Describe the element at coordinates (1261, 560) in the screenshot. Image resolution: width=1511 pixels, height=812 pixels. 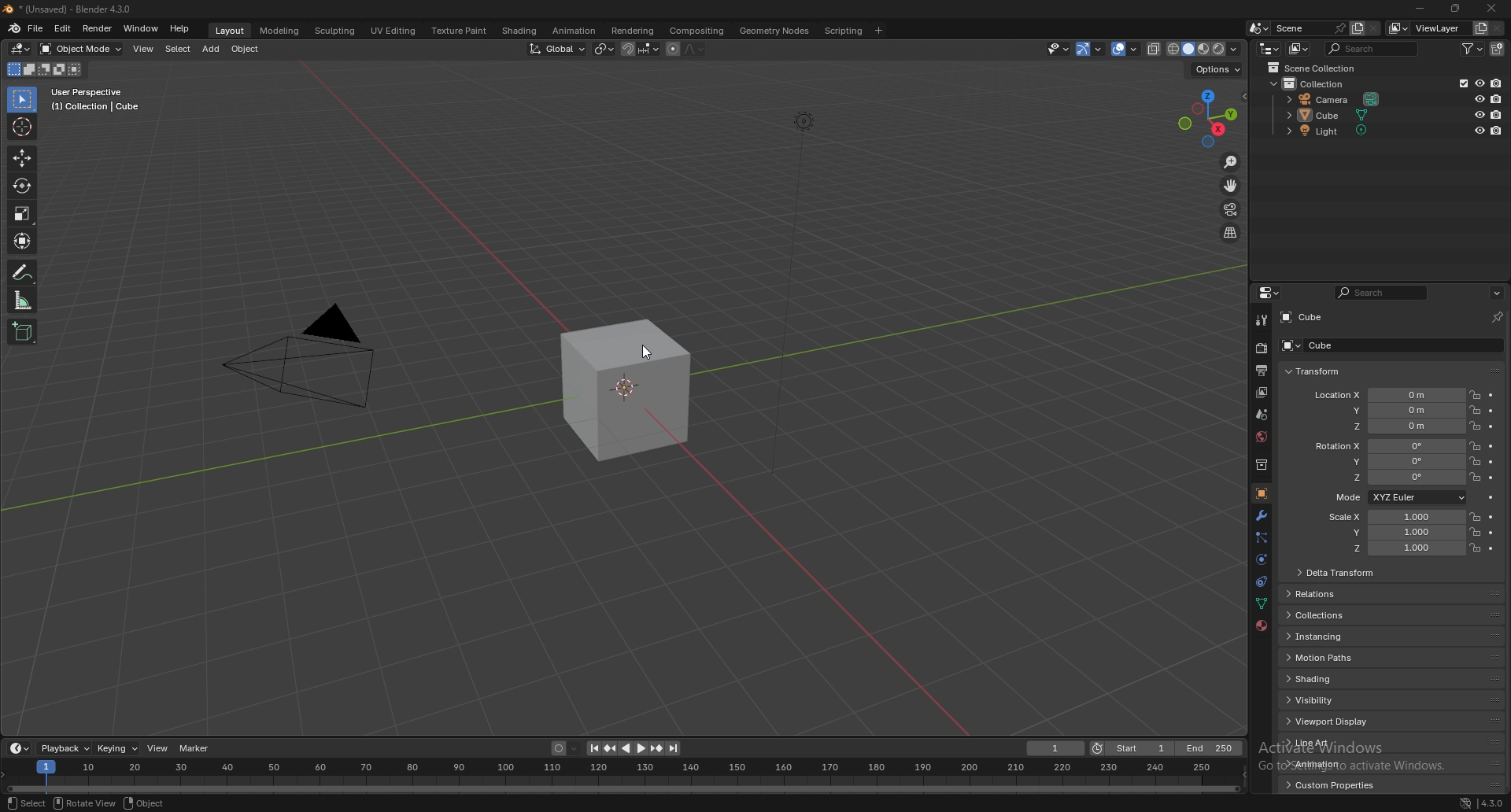
I see `physics` at that location.